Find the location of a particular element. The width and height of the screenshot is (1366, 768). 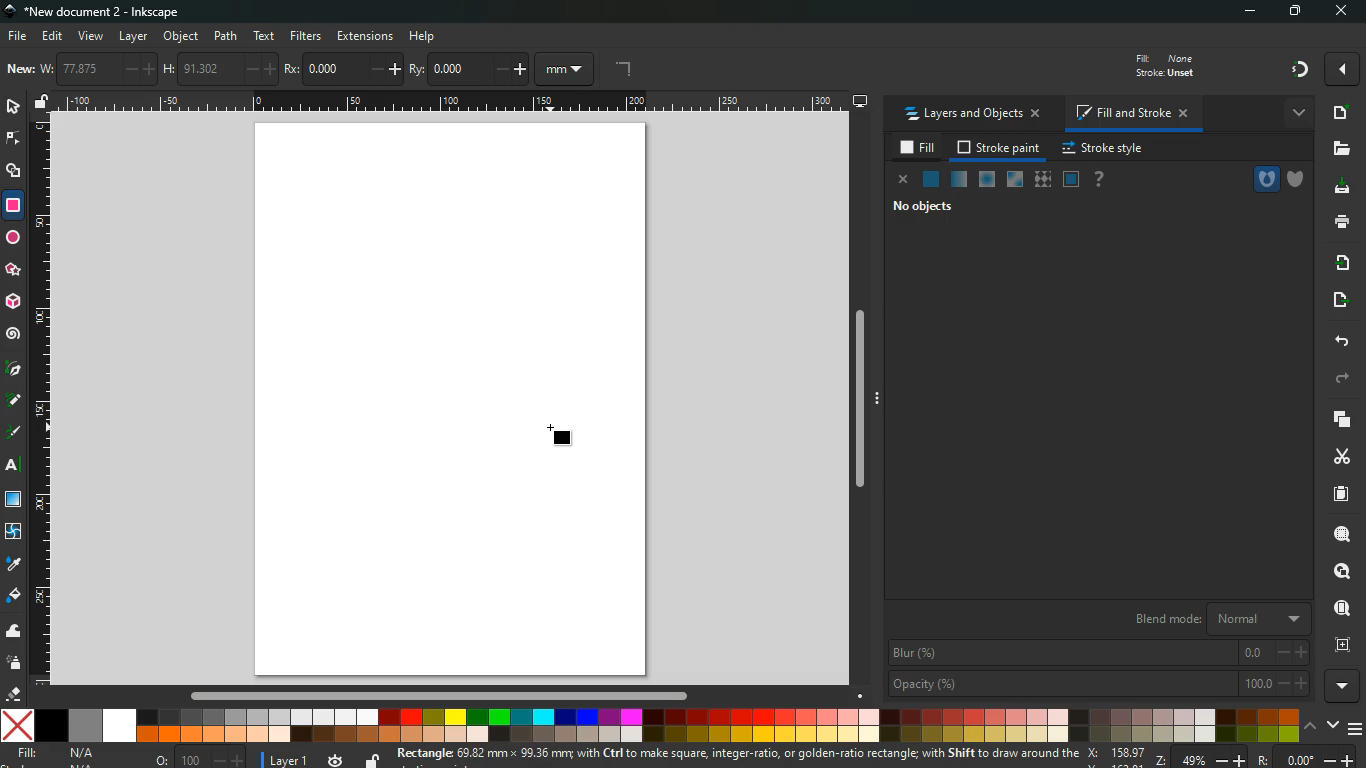

message is located at coordinates (737, 757).